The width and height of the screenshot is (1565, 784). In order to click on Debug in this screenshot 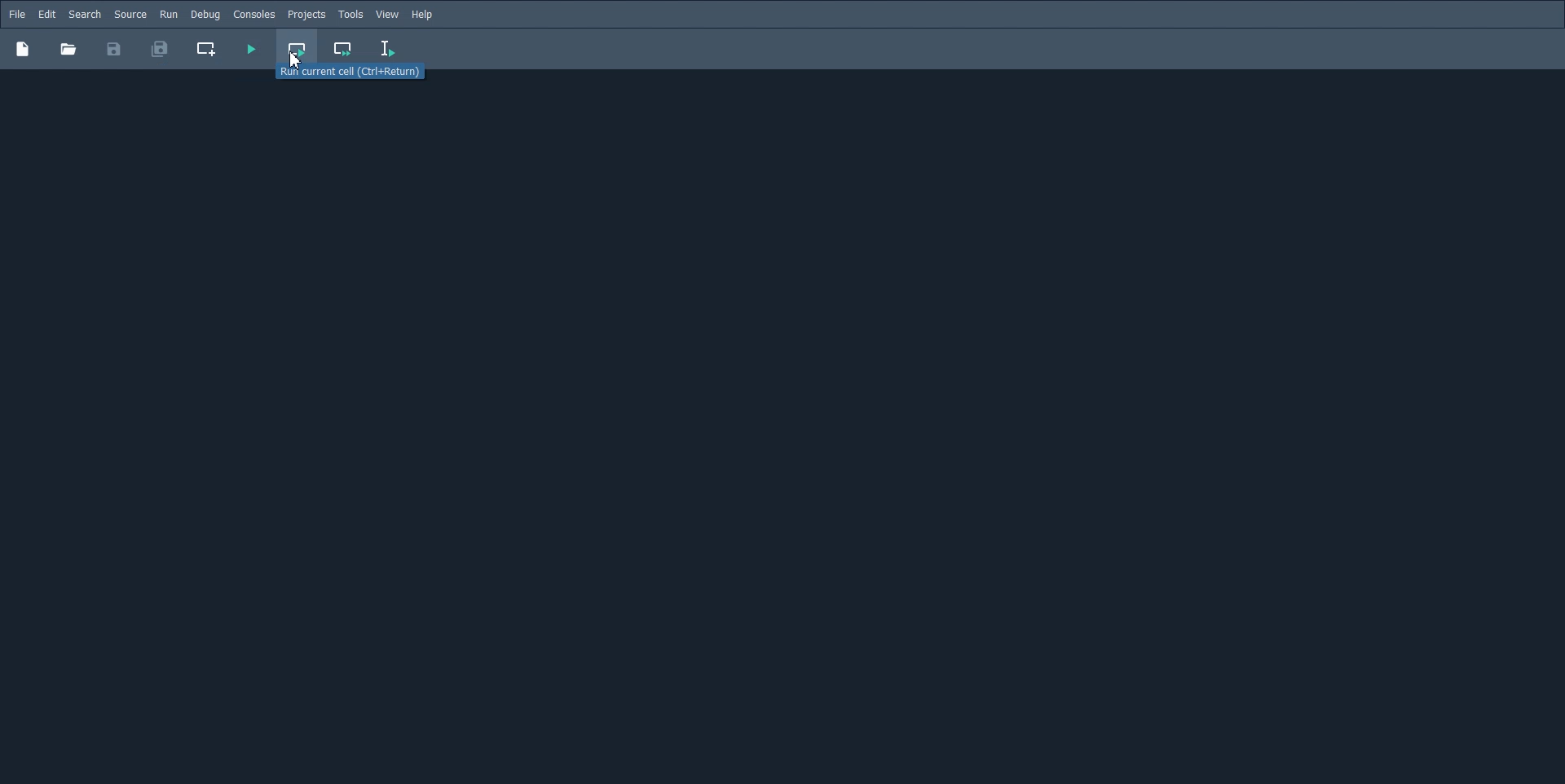, I will do `click(205, 14)`.